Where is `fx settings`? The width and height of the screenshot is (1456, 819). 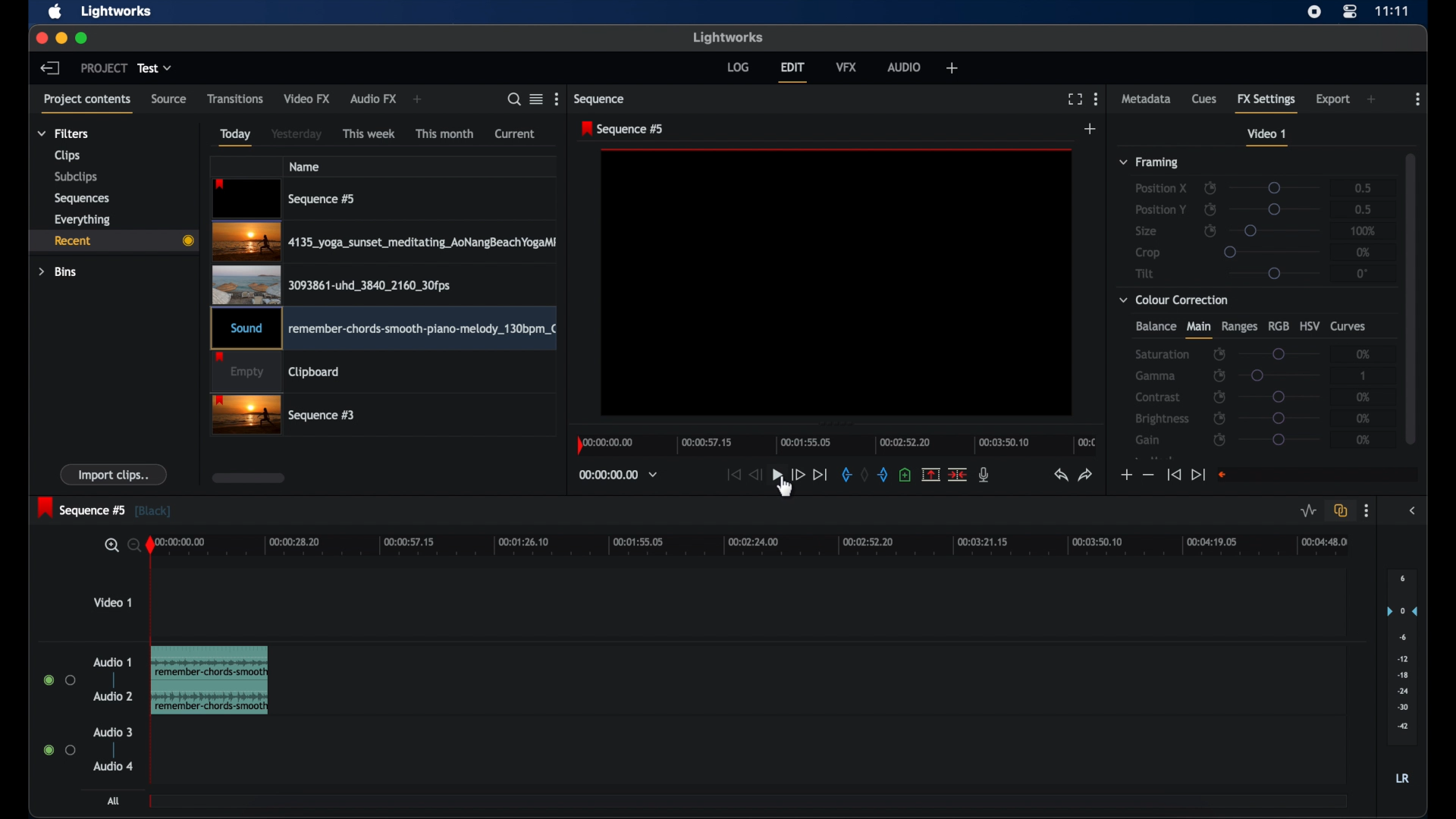 fx settings is located at coordinates (1266, 102).